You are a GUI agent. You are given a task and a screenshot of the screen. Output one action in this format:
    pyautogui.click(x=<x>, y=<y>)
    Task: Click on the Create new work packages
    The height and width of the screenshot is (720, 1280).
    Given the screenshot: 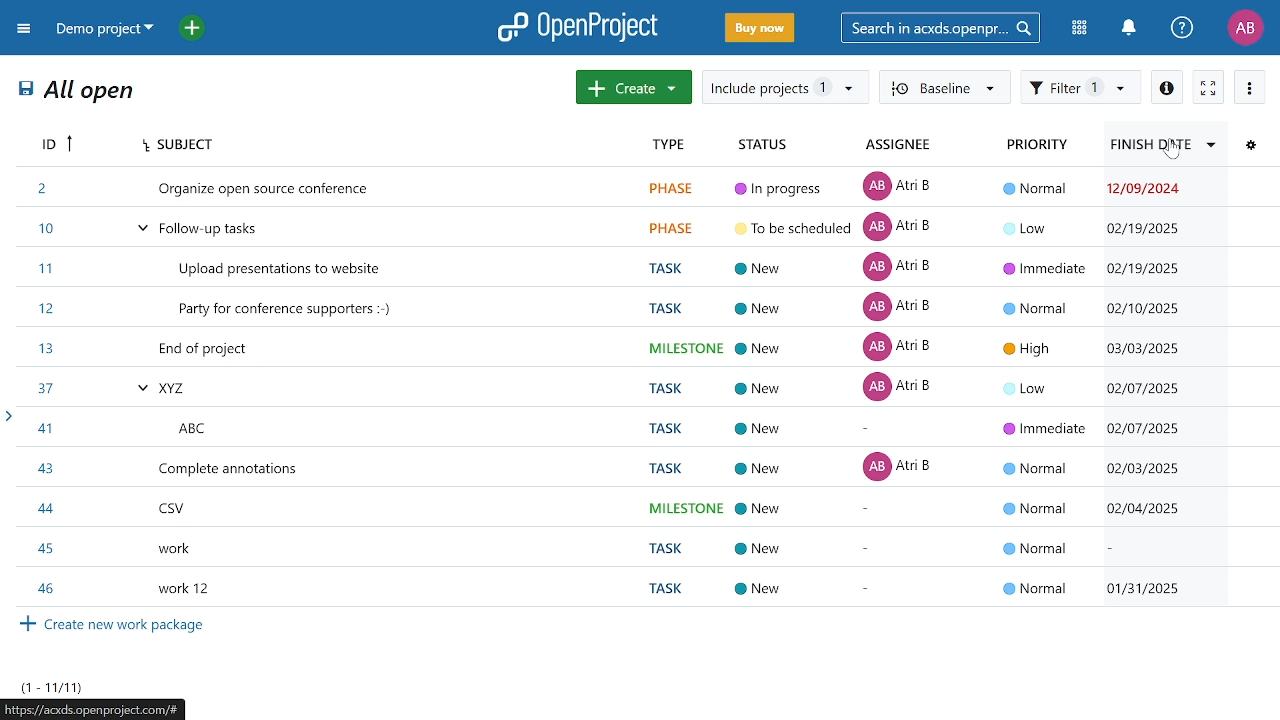 What is the action you would take?
    pyautogui.click(x=109, y=628)
    